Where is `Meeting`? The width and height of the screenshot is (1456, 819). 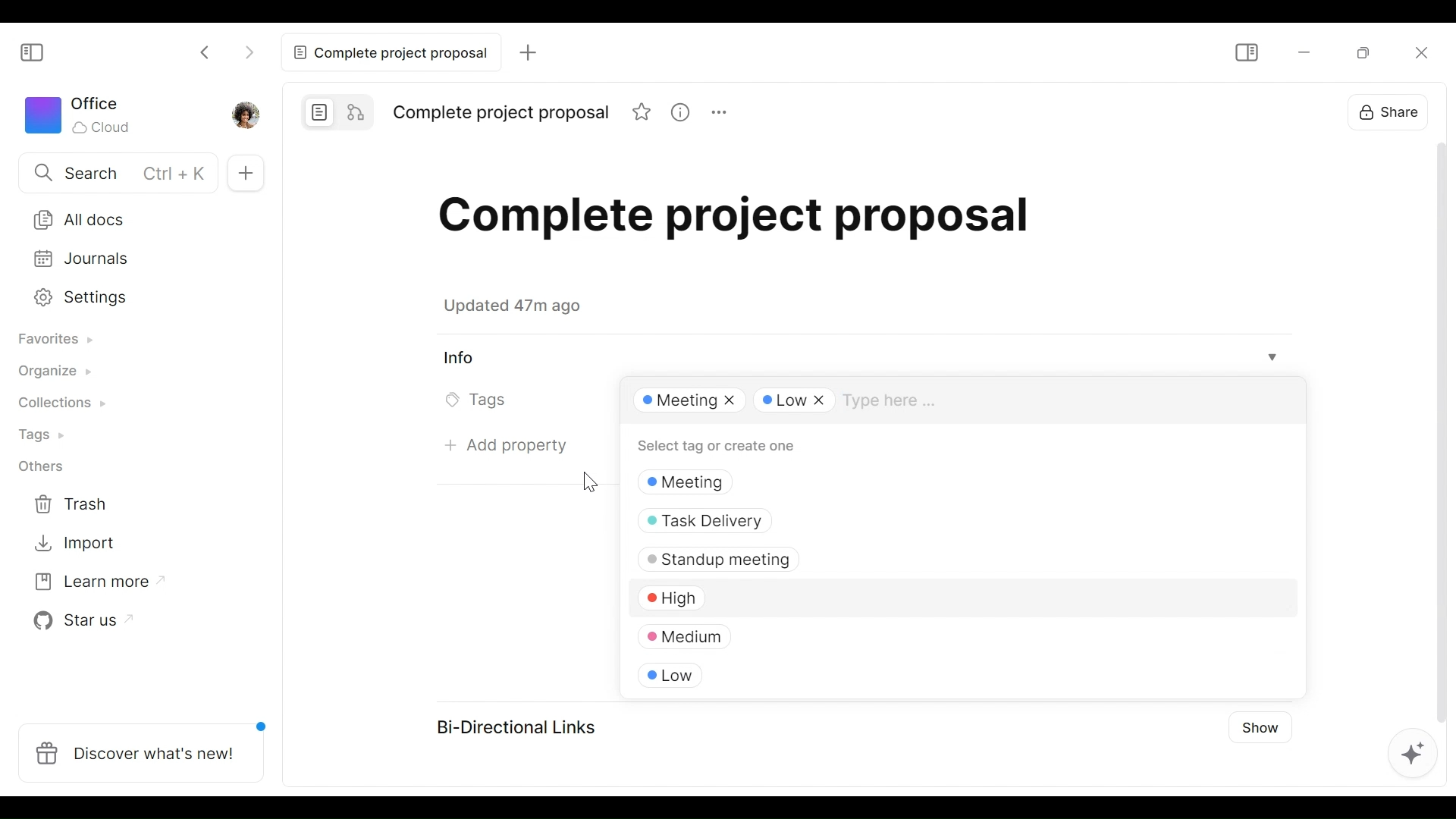
Meeting is located at coordinates (686, 402).